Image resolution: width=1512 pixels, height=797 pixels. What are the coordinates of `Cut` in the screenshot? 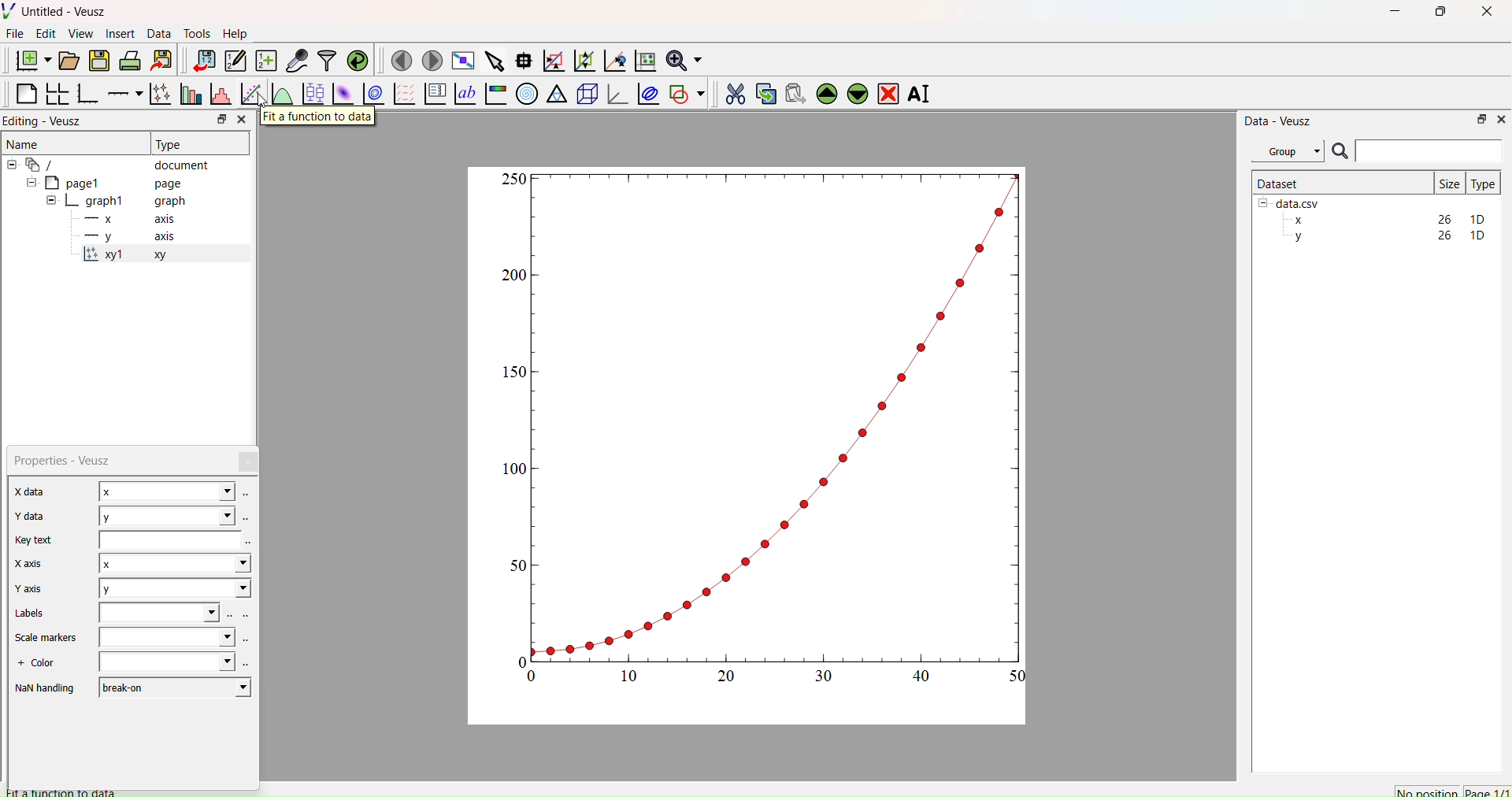 It's located at (730, 91).